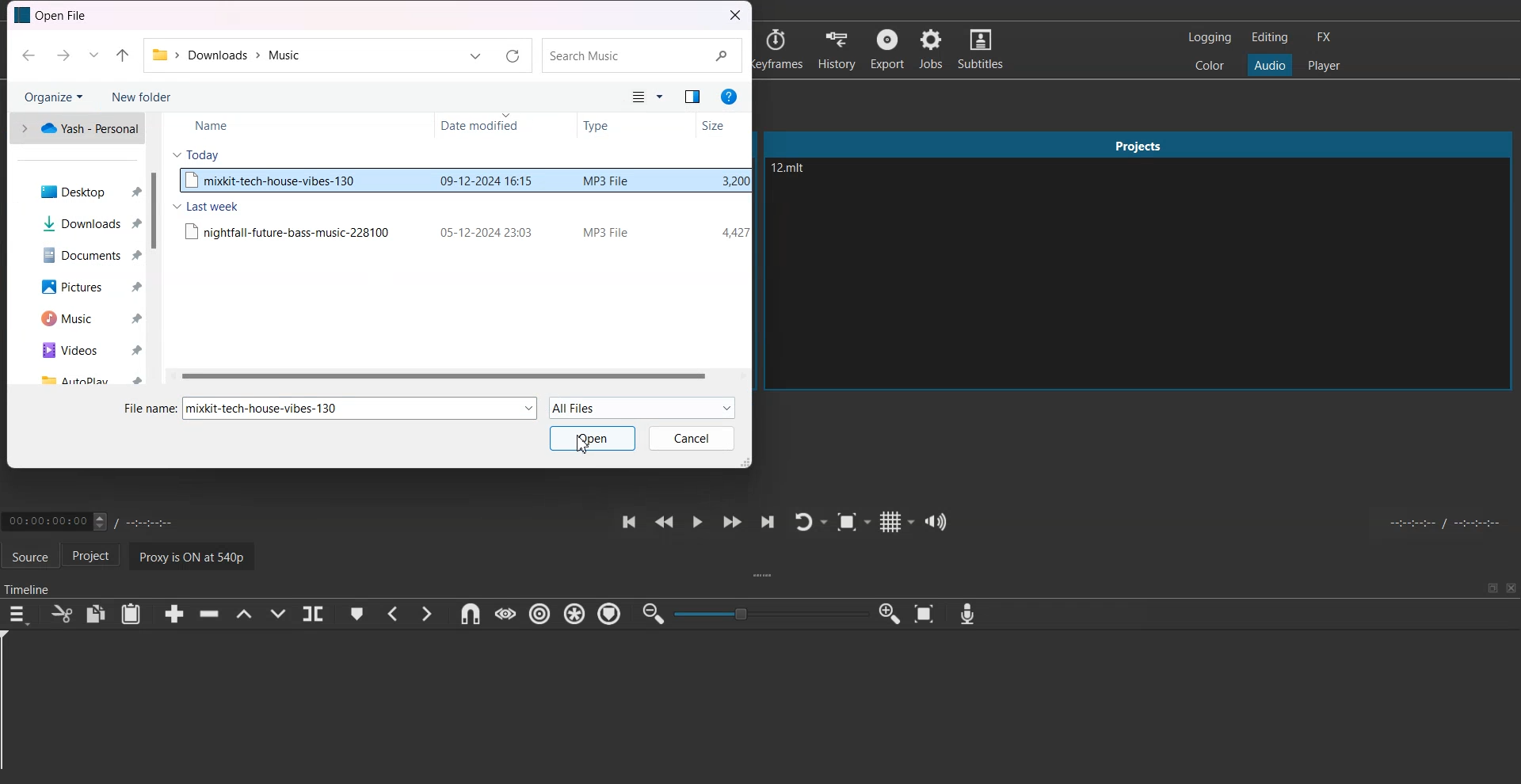 The width and height of the screenshot is (1521, 784). I want to click on One Drive File, so click(75, 128).